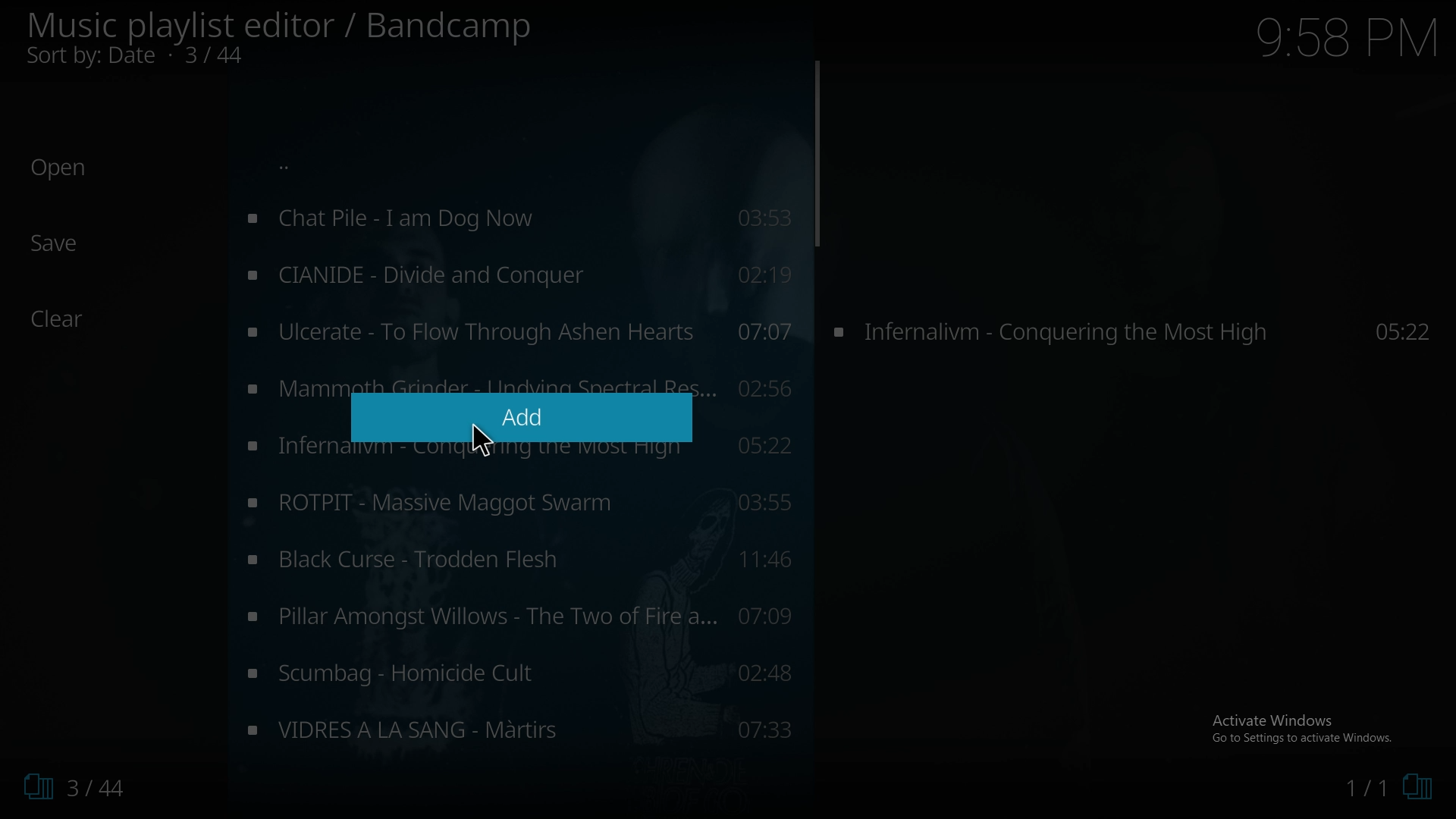  What do you see at coordinates (519, 726) in the screenshot?
I see `music` at bounding box center [519, 726].